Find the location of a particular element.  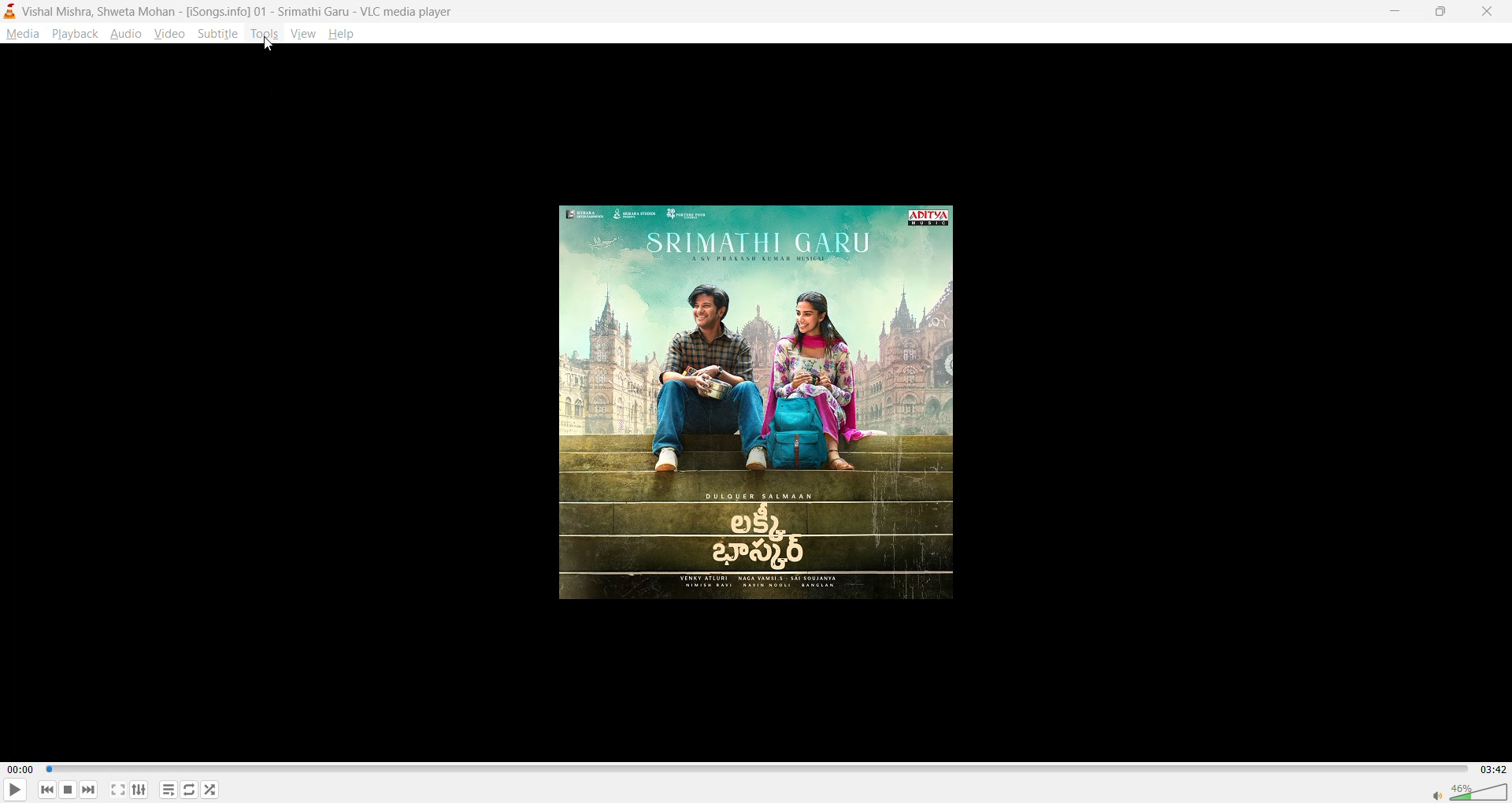

thumbnail is located at coordinates (761, 406).